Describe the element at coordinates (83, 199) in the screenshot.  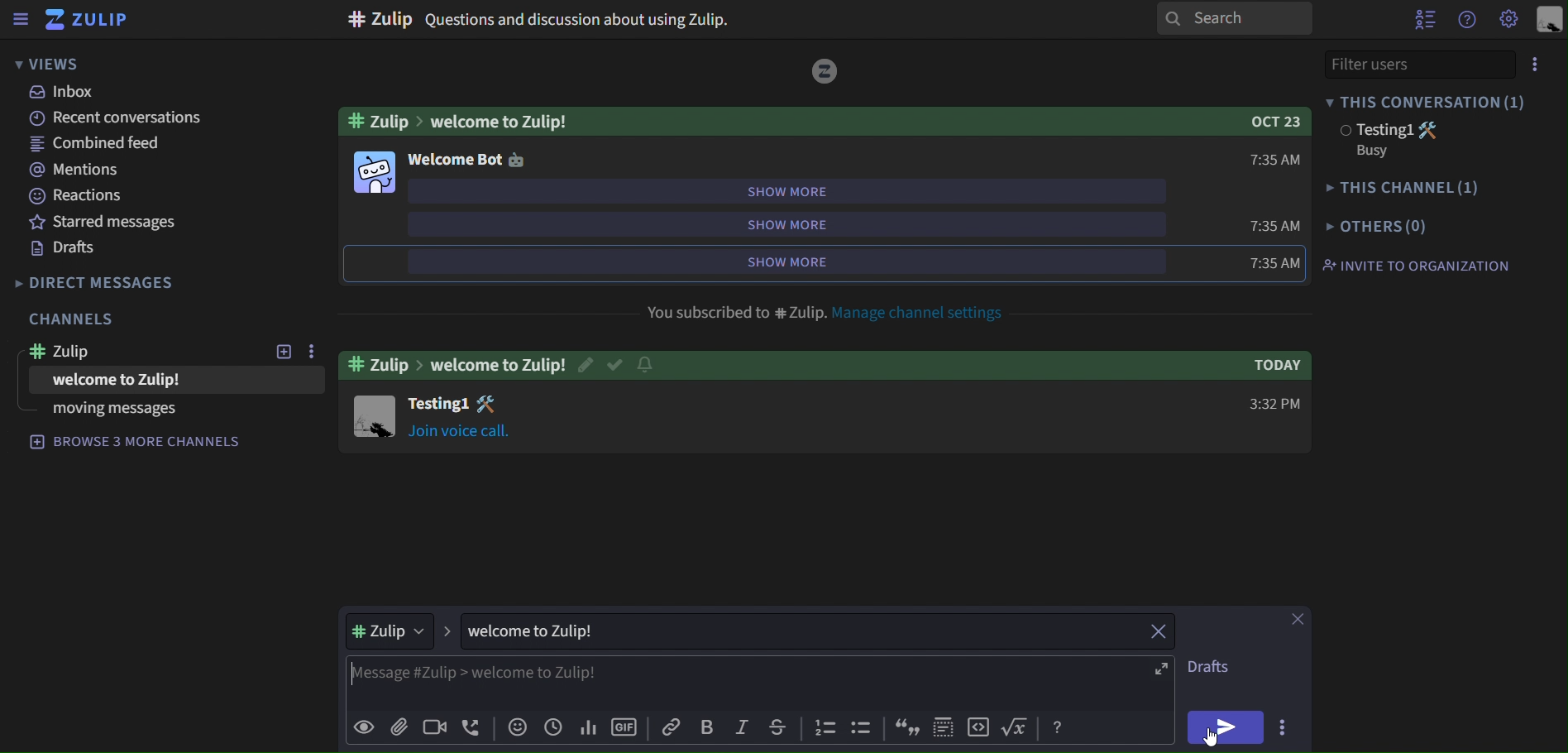
I see `reactions` at that location.